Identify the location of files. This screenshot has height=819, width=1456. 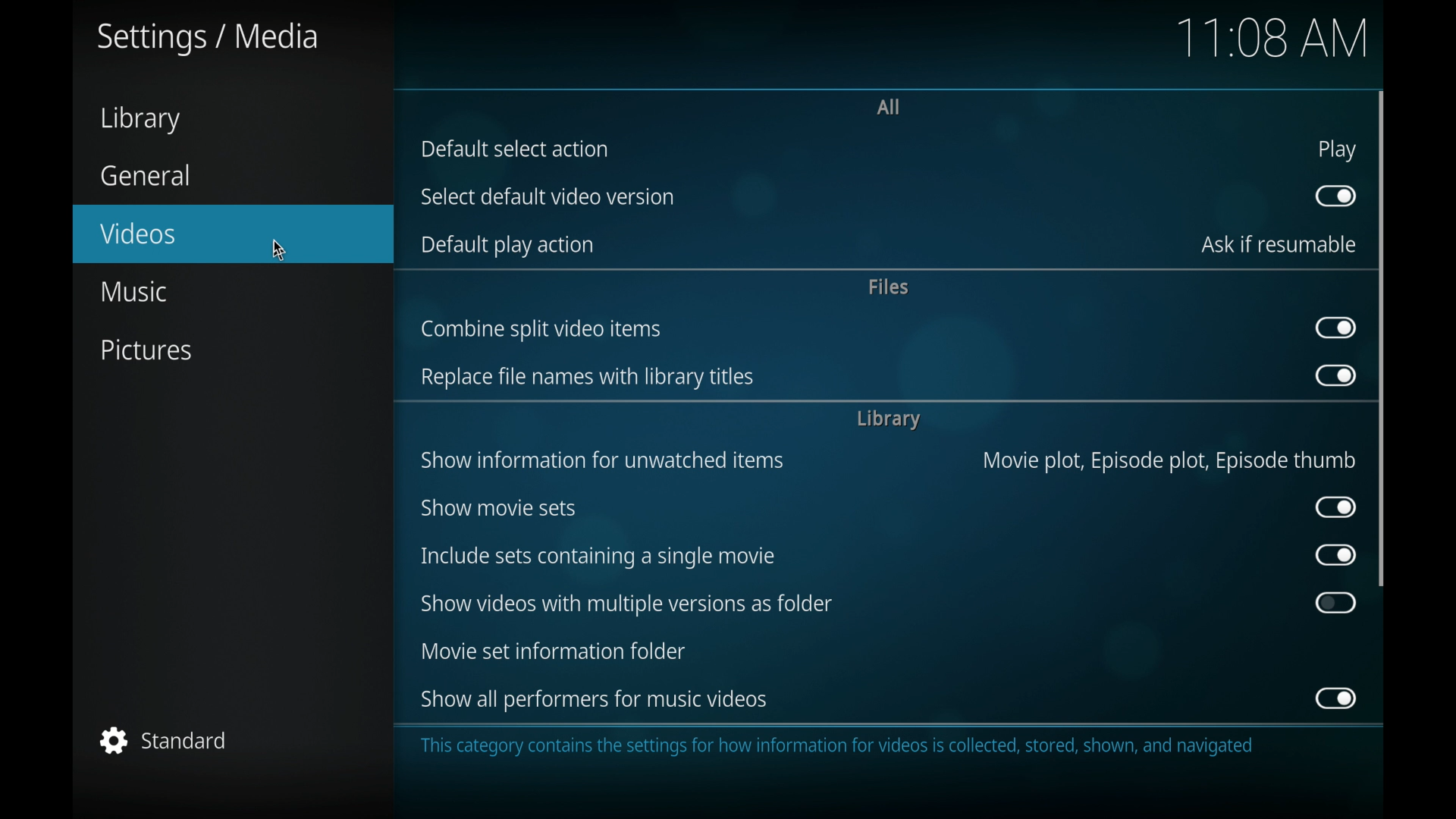
(890, 286).